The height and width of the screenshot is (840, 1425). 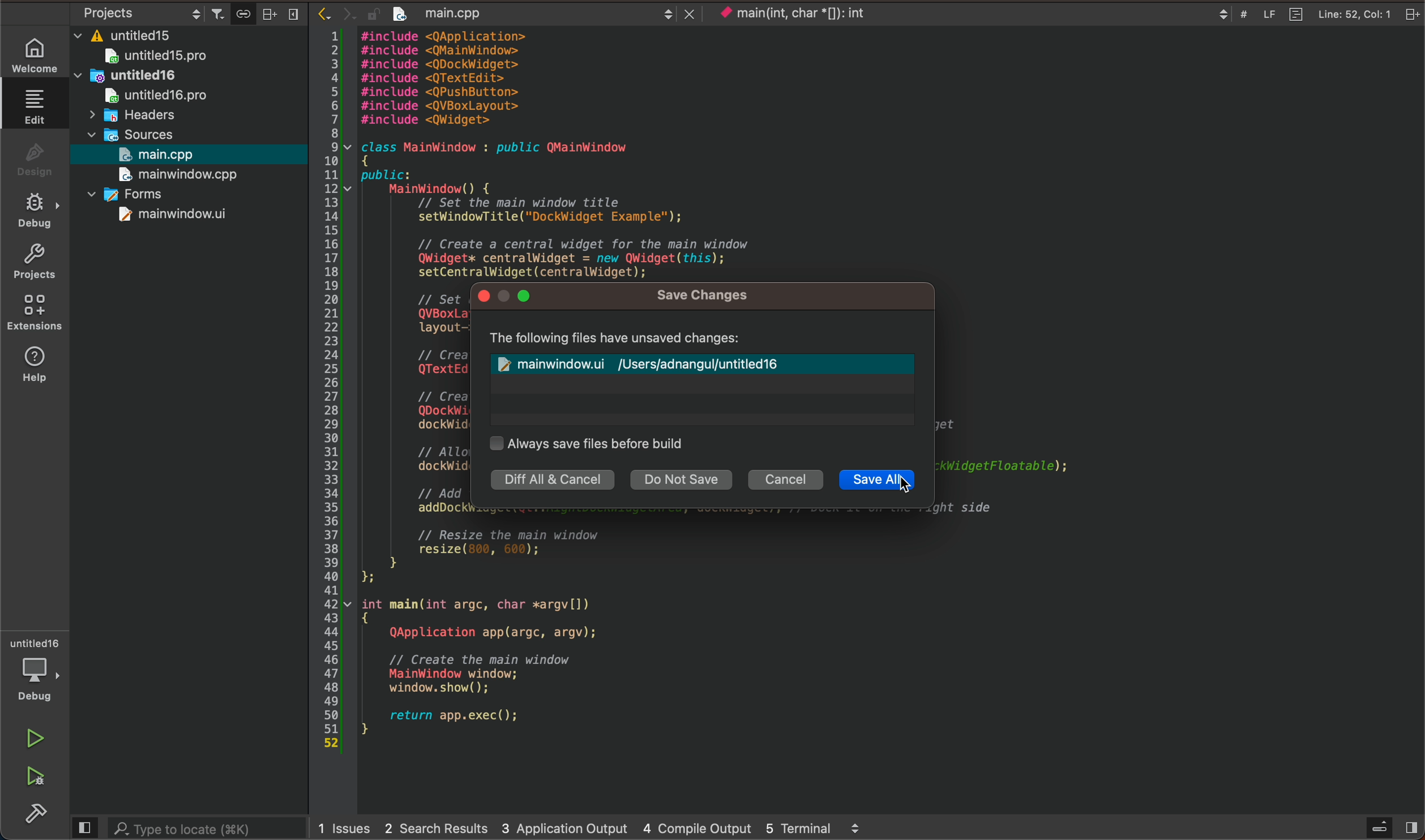 What do you see at coordinates (594, 445) in the screenshot?
I see `auto save` at bounding box center [594, 445].